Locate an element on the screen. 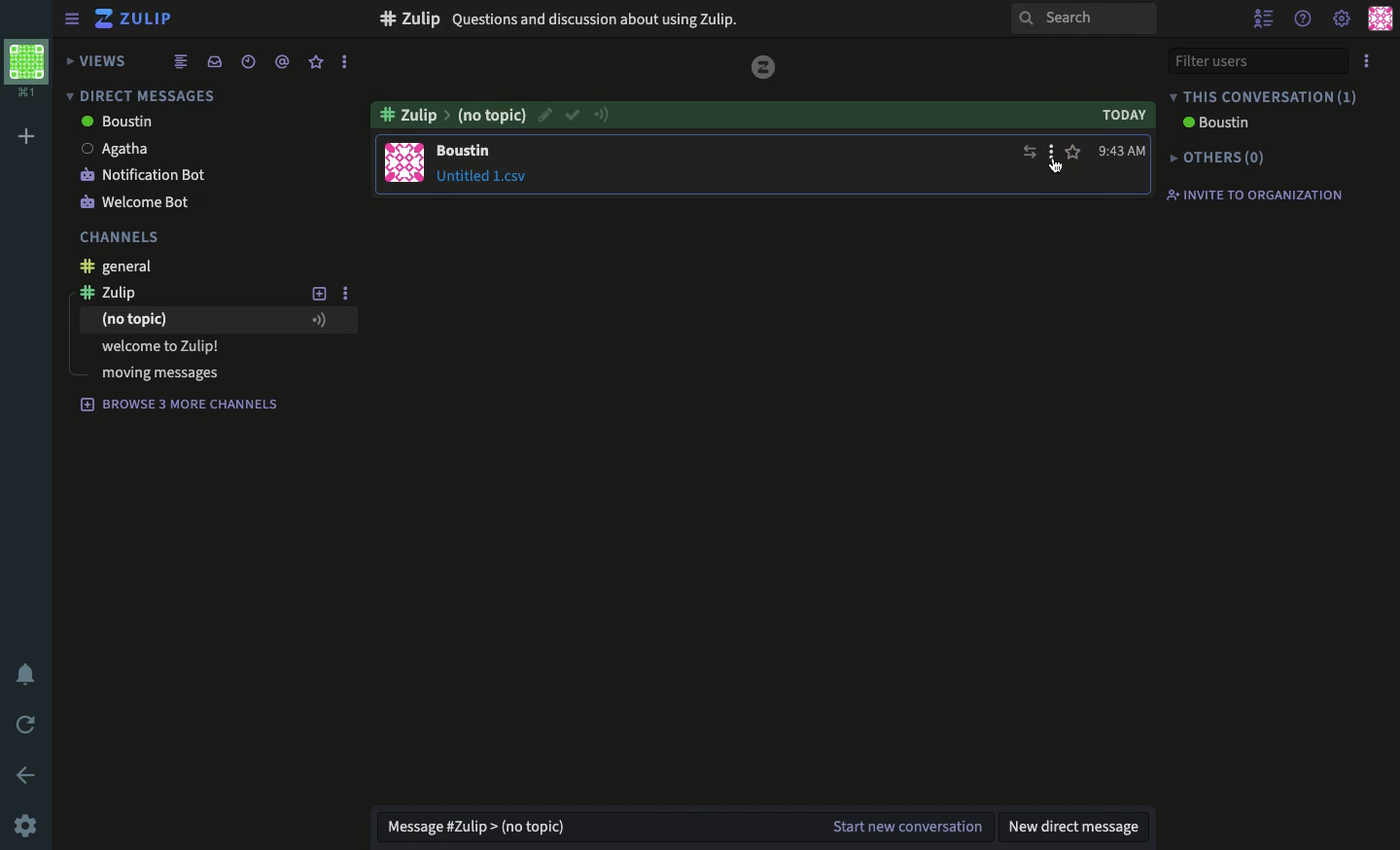 This screenshot has width=1400, height=850. Others is located at coordinates (1223, 158).